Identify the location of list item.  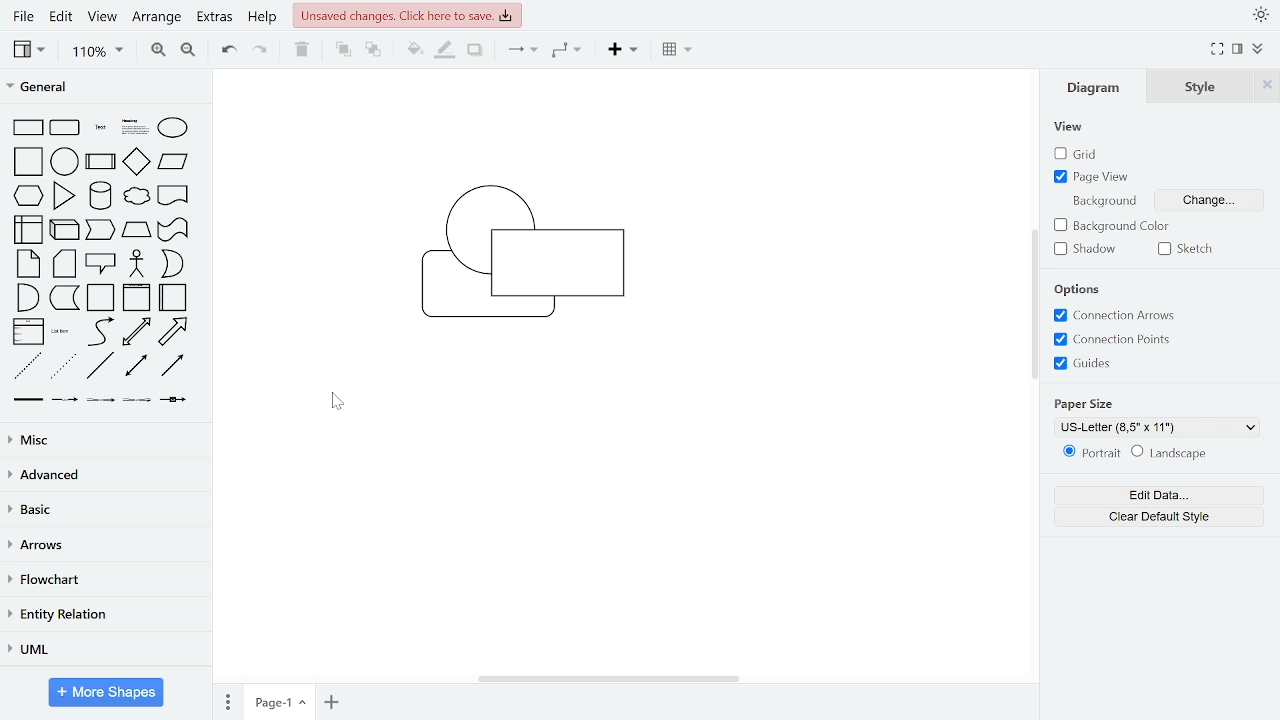
(60, 332).